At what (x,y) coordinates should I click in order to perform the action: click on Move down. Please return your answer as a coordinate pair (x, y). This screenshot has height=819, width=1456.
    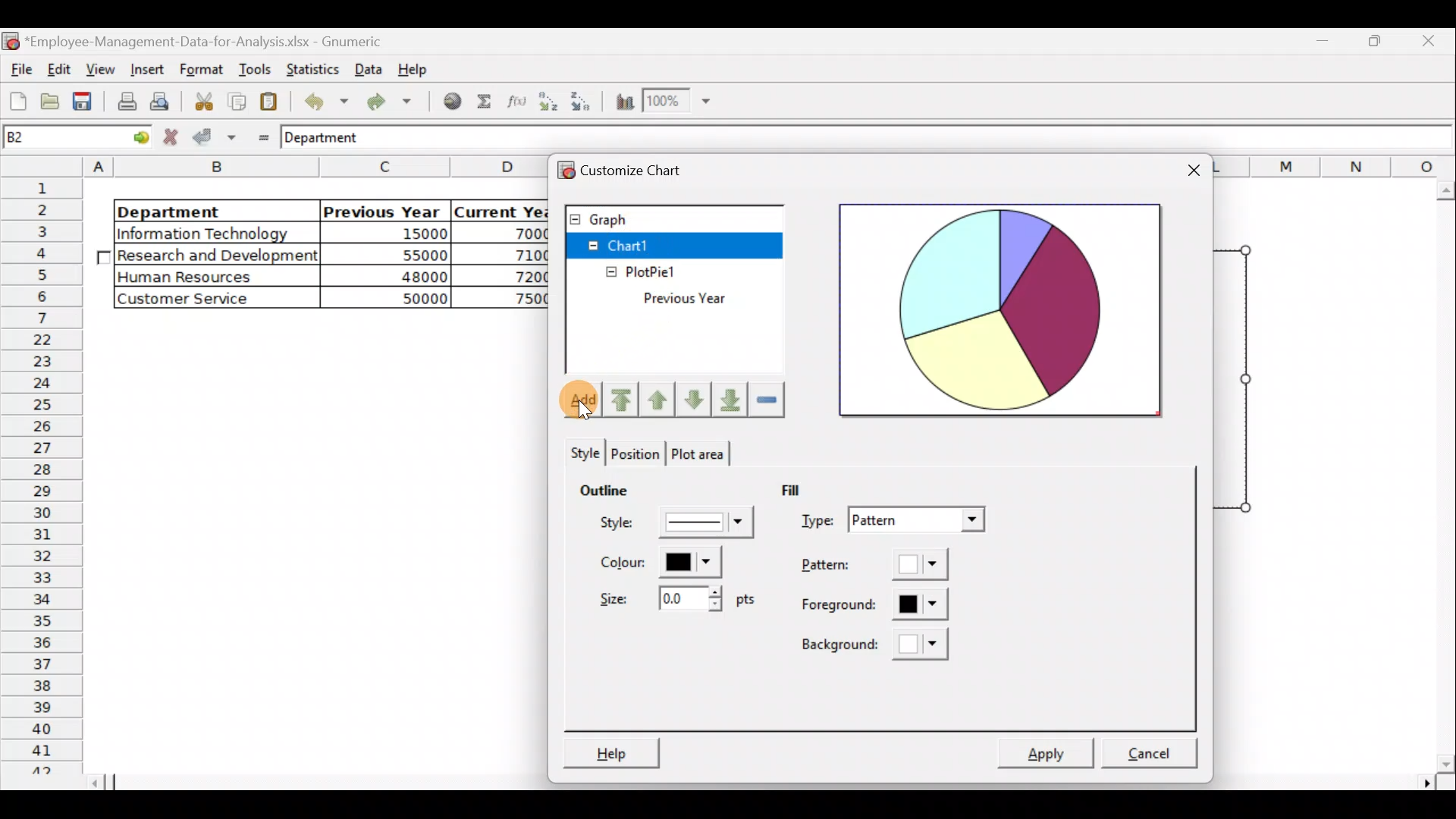
    Looking at the image, I should click on (698, 402).